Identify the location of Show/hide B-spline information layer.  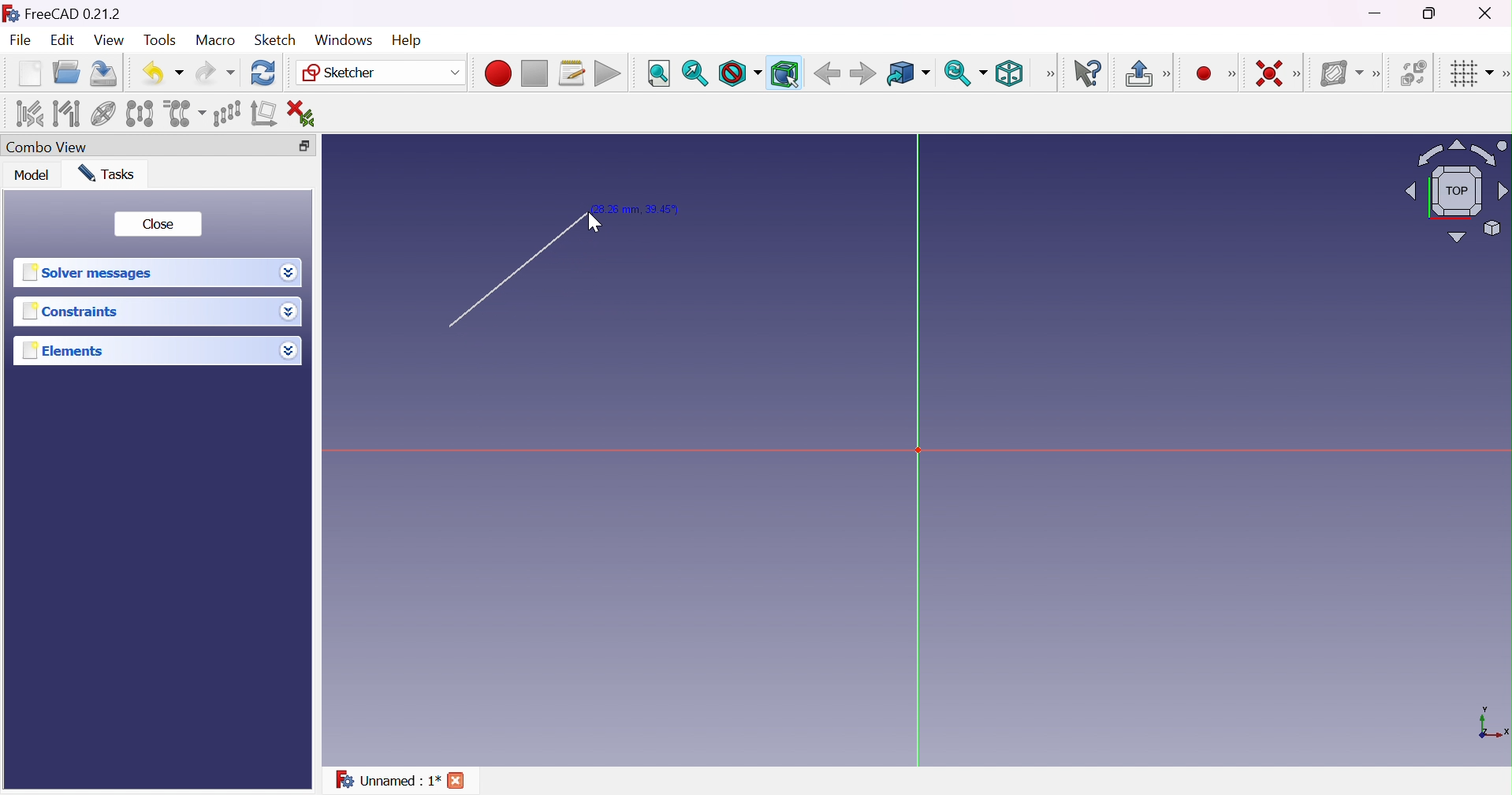
(1343, 73).